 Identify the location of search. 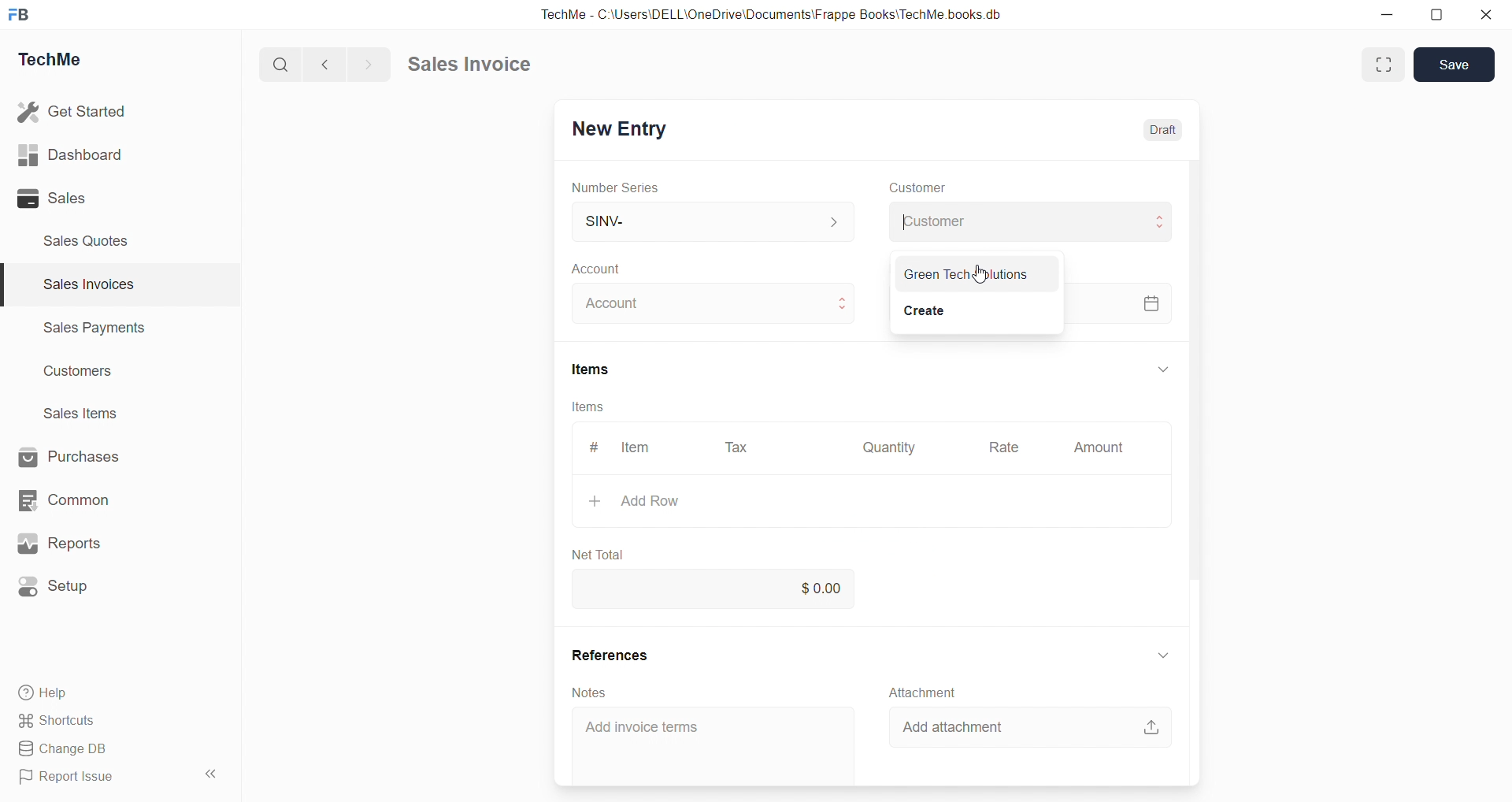
(278, 65).